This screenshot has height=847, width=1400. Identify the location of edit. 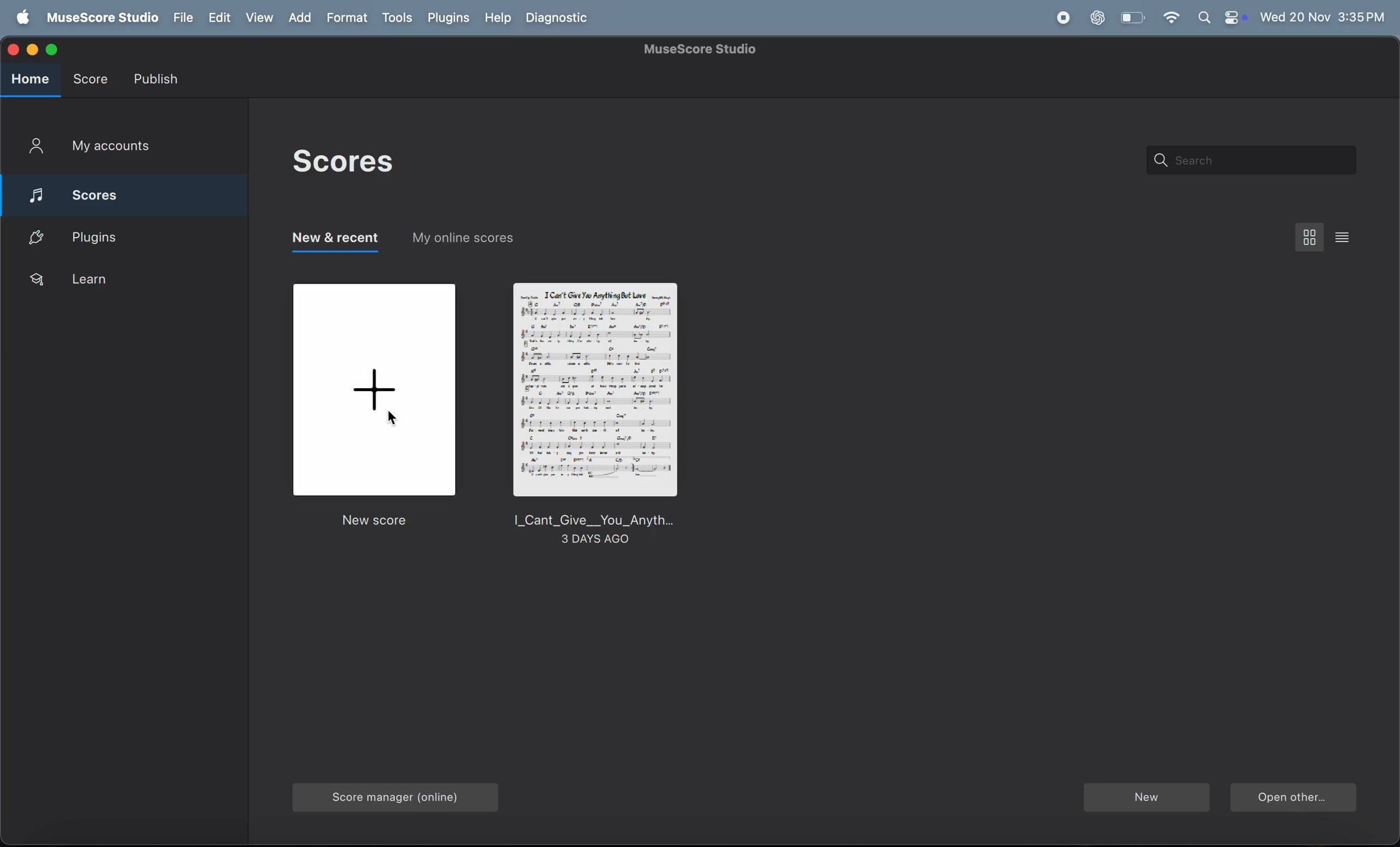
(218, 18).